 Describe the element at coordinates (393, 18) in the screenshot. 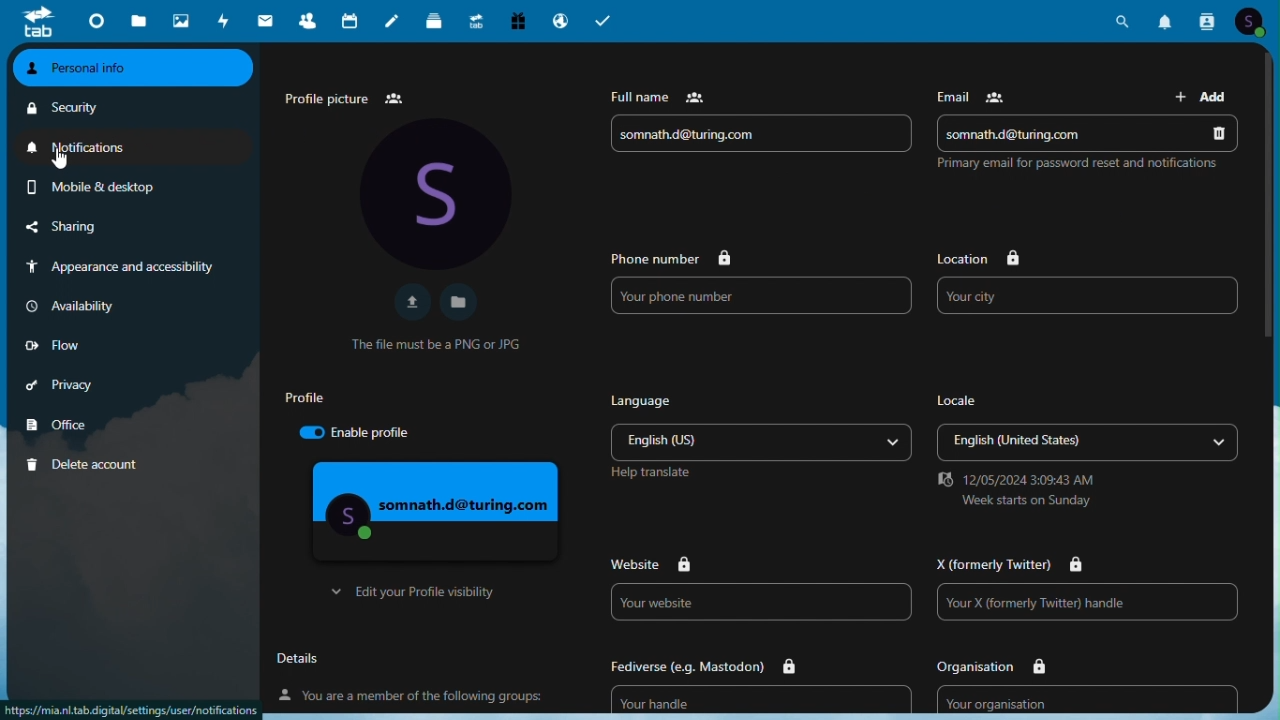

I see `Notes` at that location.